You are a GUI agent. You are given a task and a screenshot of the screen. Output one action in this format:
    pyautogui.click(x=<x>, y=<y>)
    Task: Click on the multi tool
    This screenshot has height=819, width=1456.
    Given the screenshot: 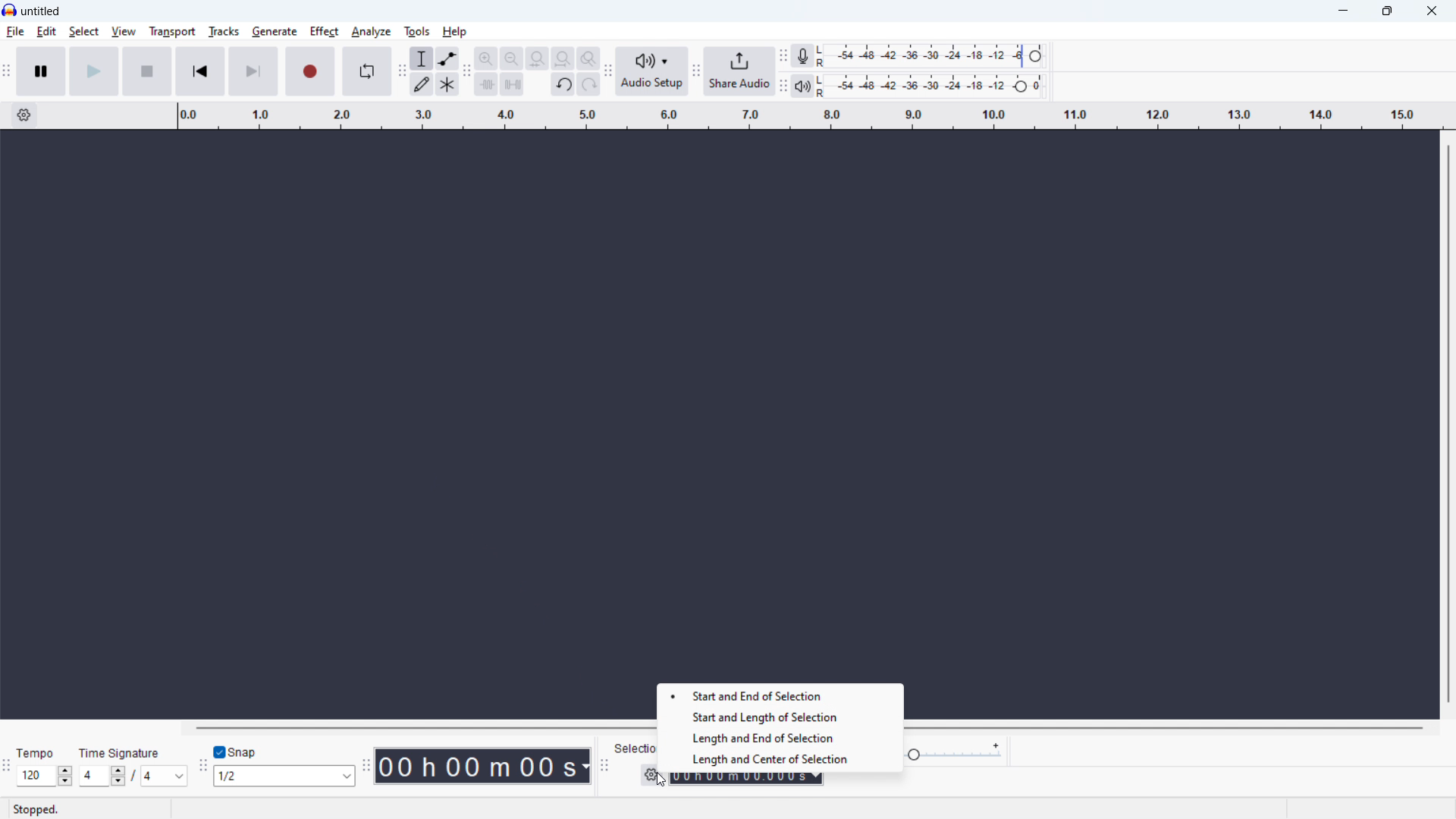 What is the action you would take?
    pyautogui.click(x=449, y=85)
    